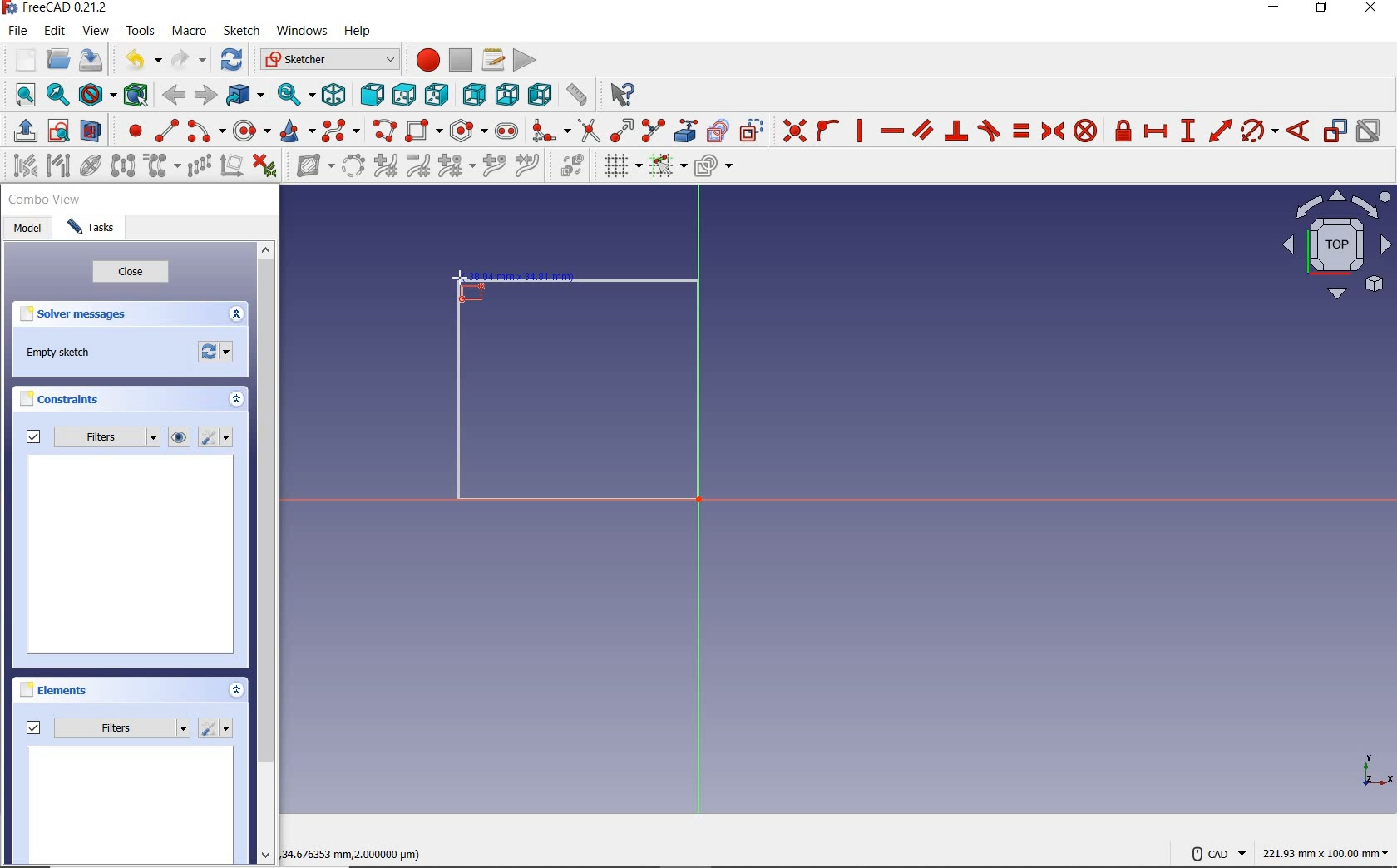  I want to click on bottom, so click(508, 94).